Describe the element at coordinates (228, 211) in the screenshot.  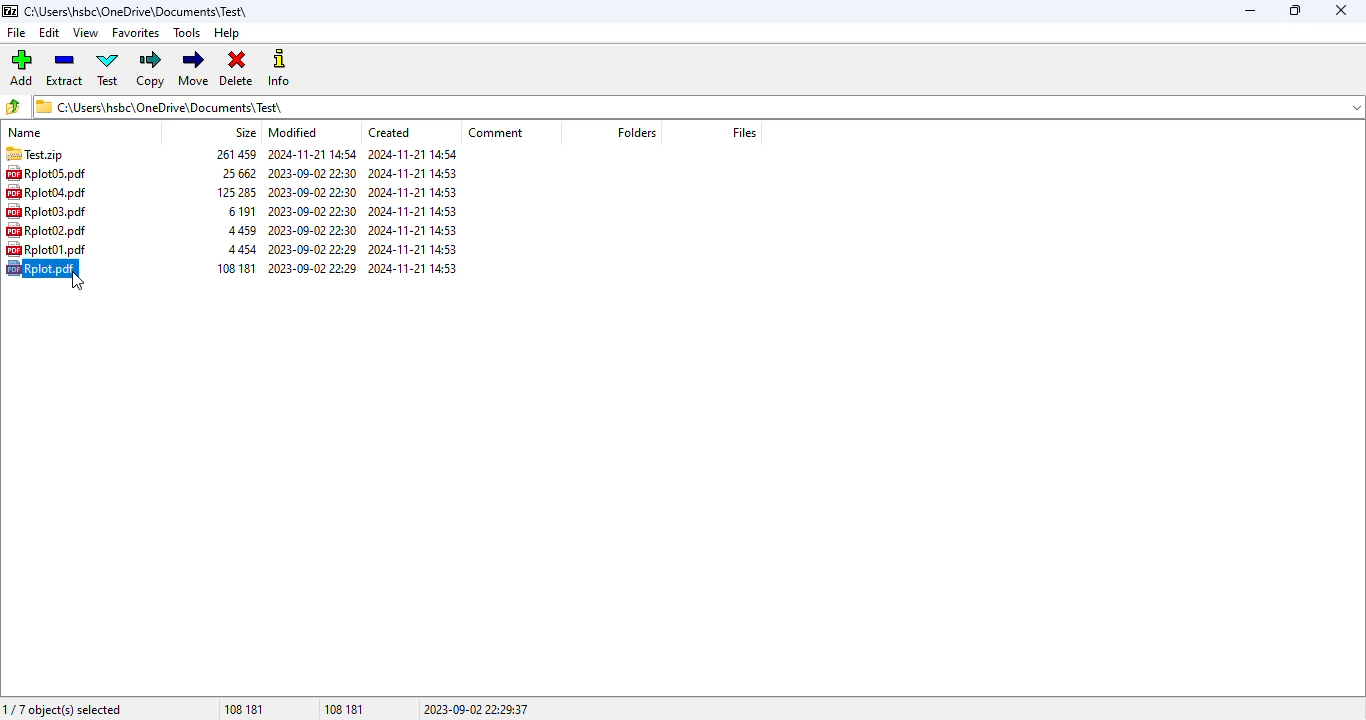
I see `6191` at that location.